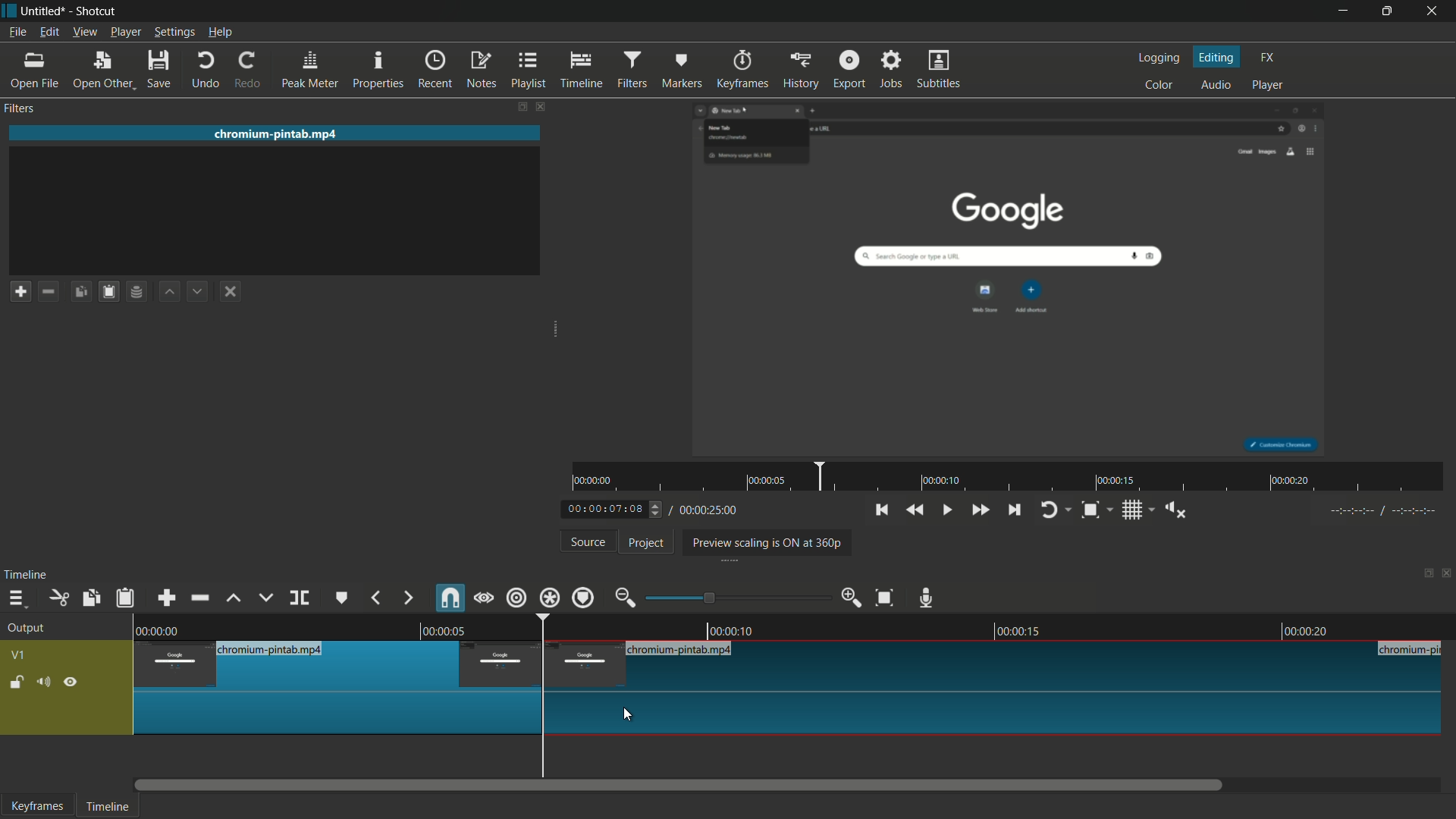  I want to click on previous marker, so click(375, 598).